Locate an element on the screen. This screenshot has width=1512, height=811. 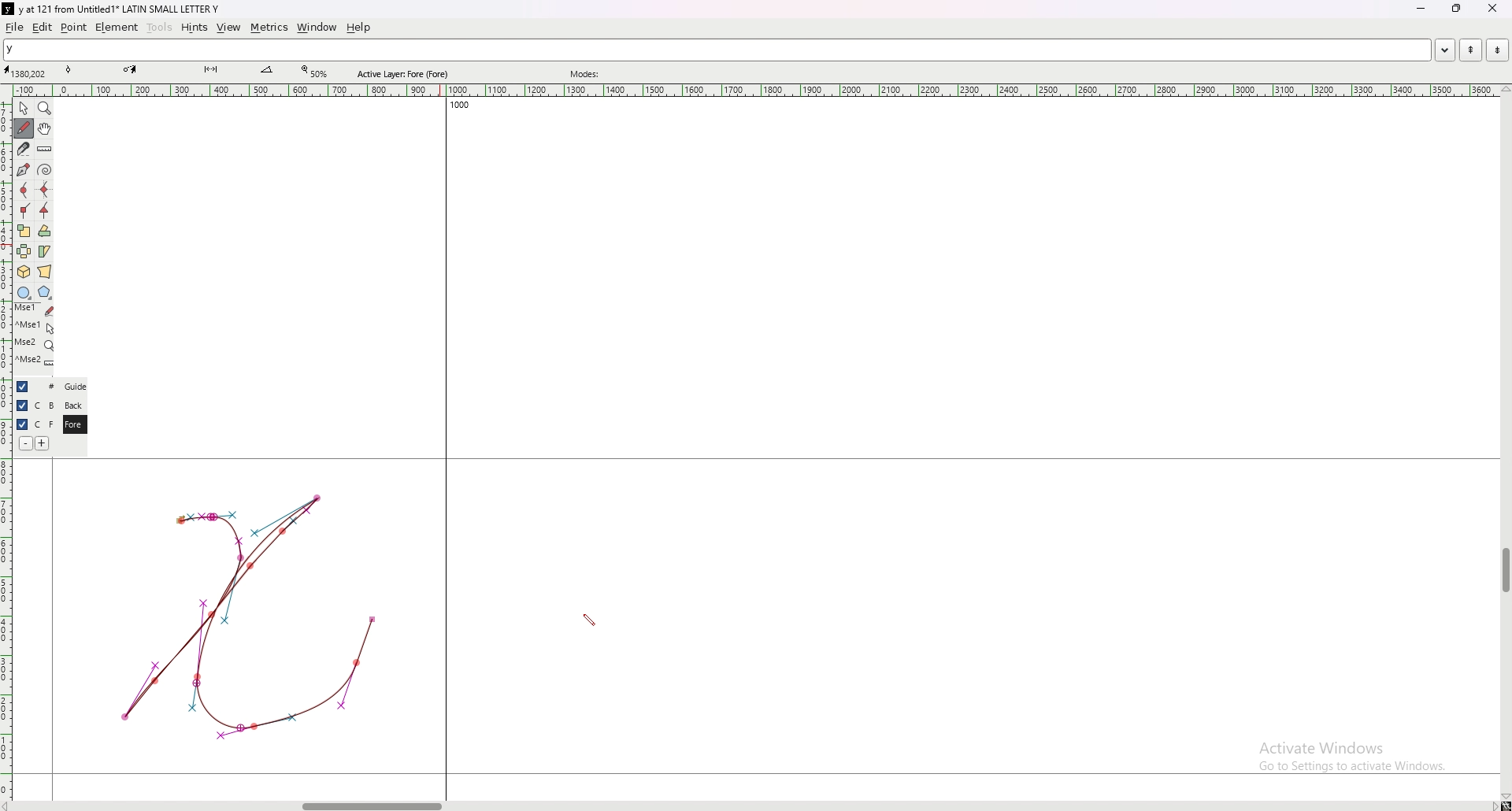
skew the selection is located at coordinates (44, 250).